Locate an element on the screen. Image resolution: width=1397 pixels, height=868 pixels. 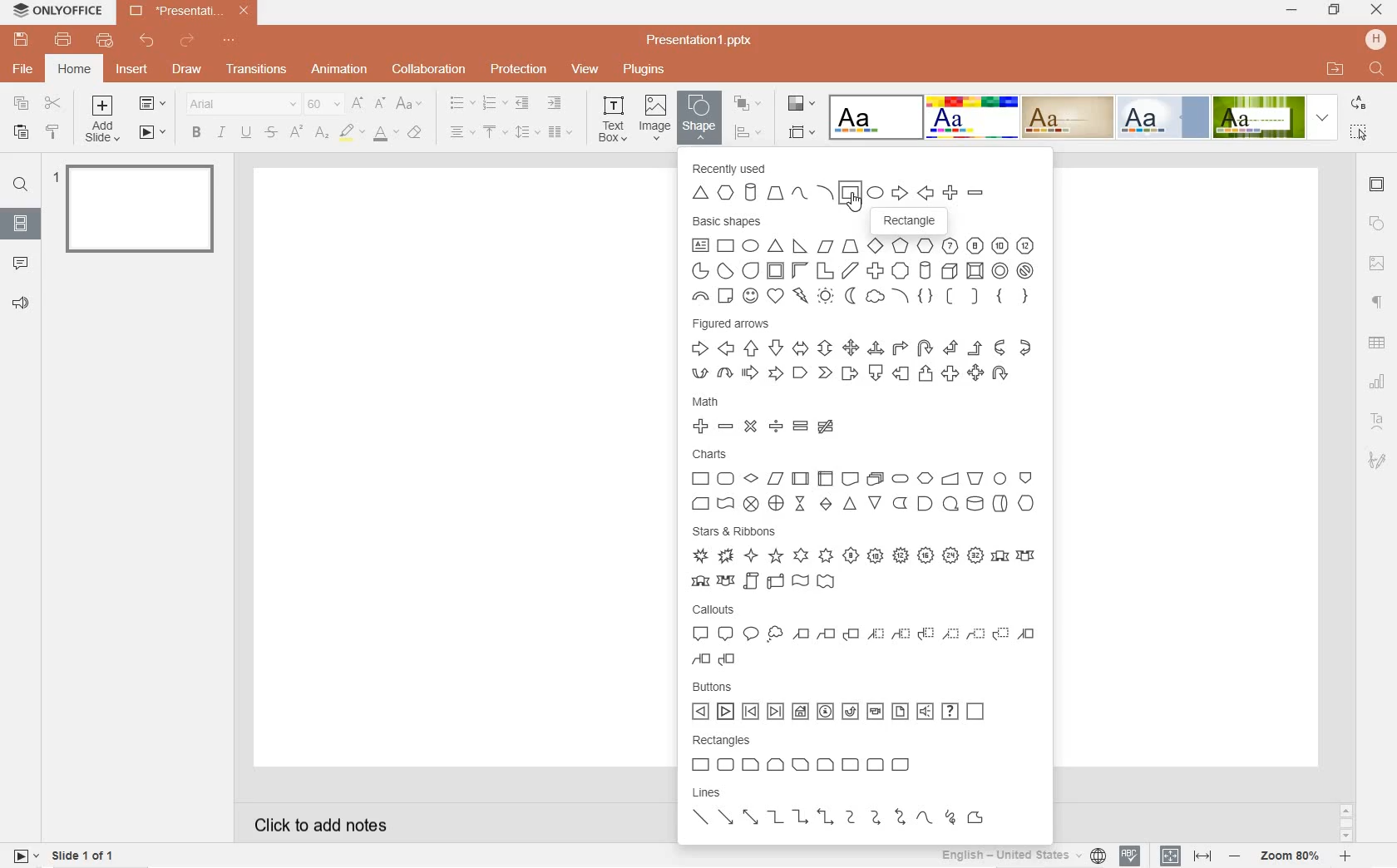
shape is located at coordinates (697, 117).